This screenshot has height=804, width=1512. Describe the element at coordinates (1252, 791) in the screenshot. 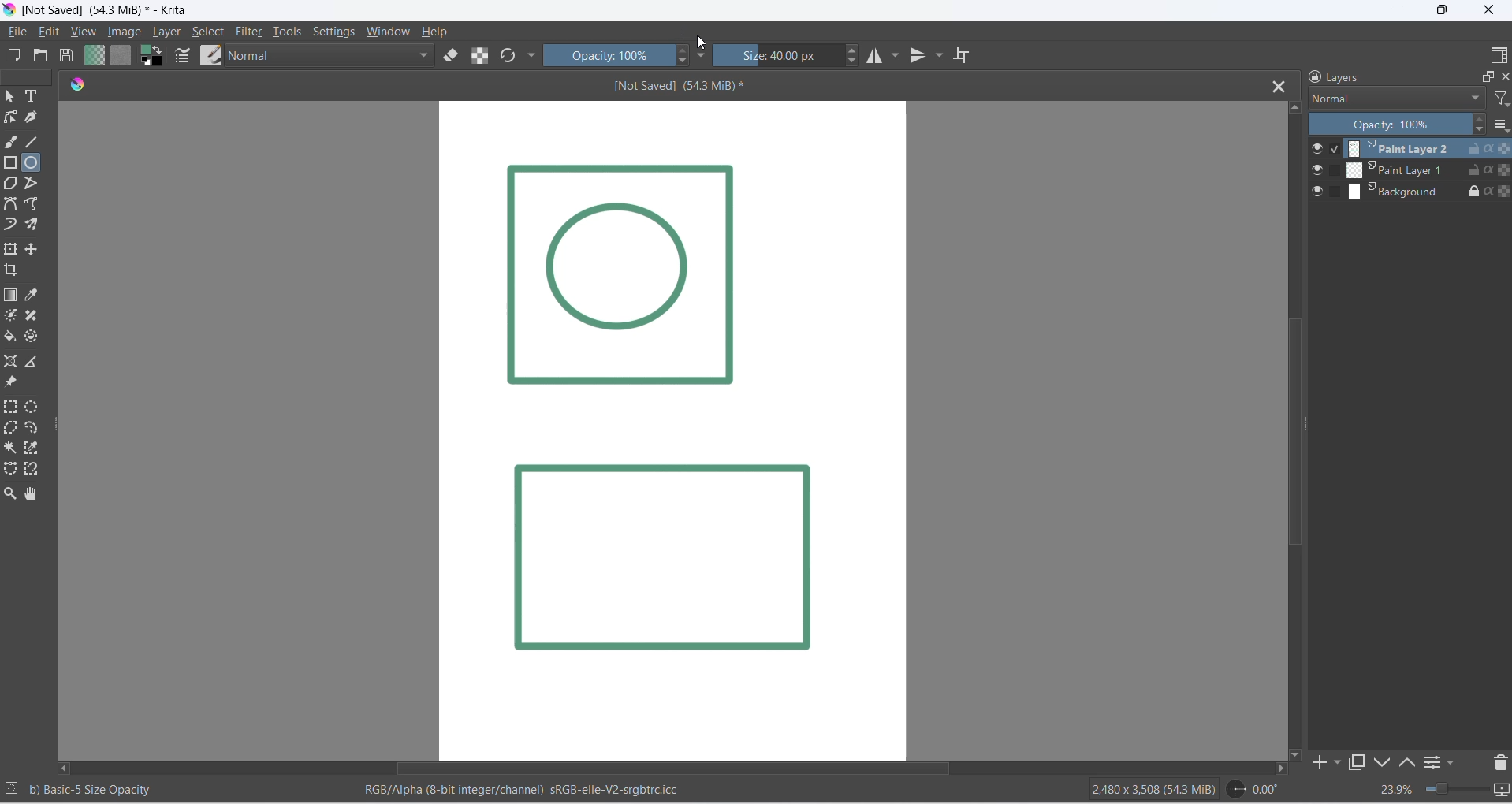

I see `0.00` at that location.